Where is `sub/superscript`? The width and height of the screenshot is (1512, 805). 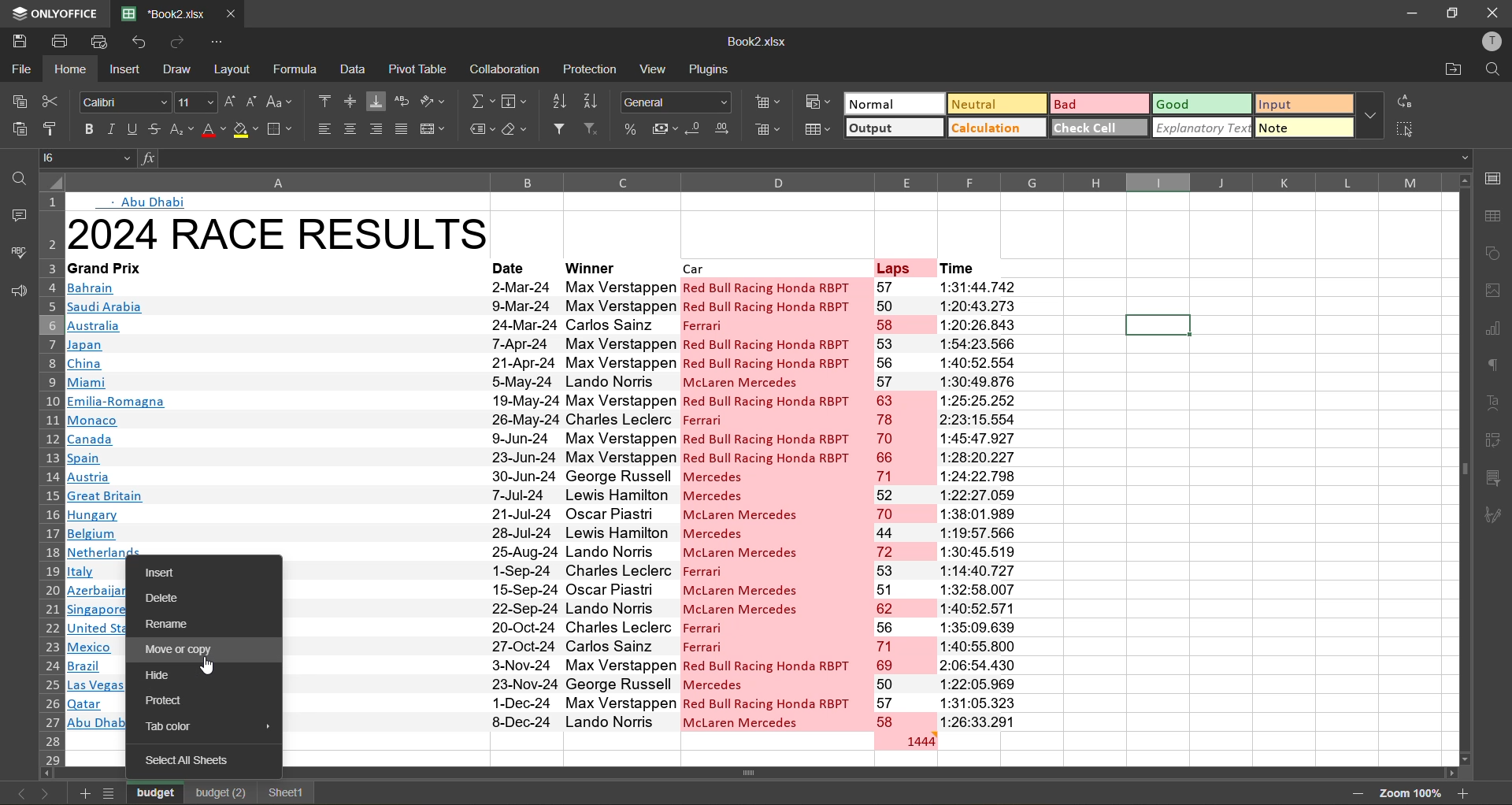
sub/superscript is located at coordinates (181, 131).